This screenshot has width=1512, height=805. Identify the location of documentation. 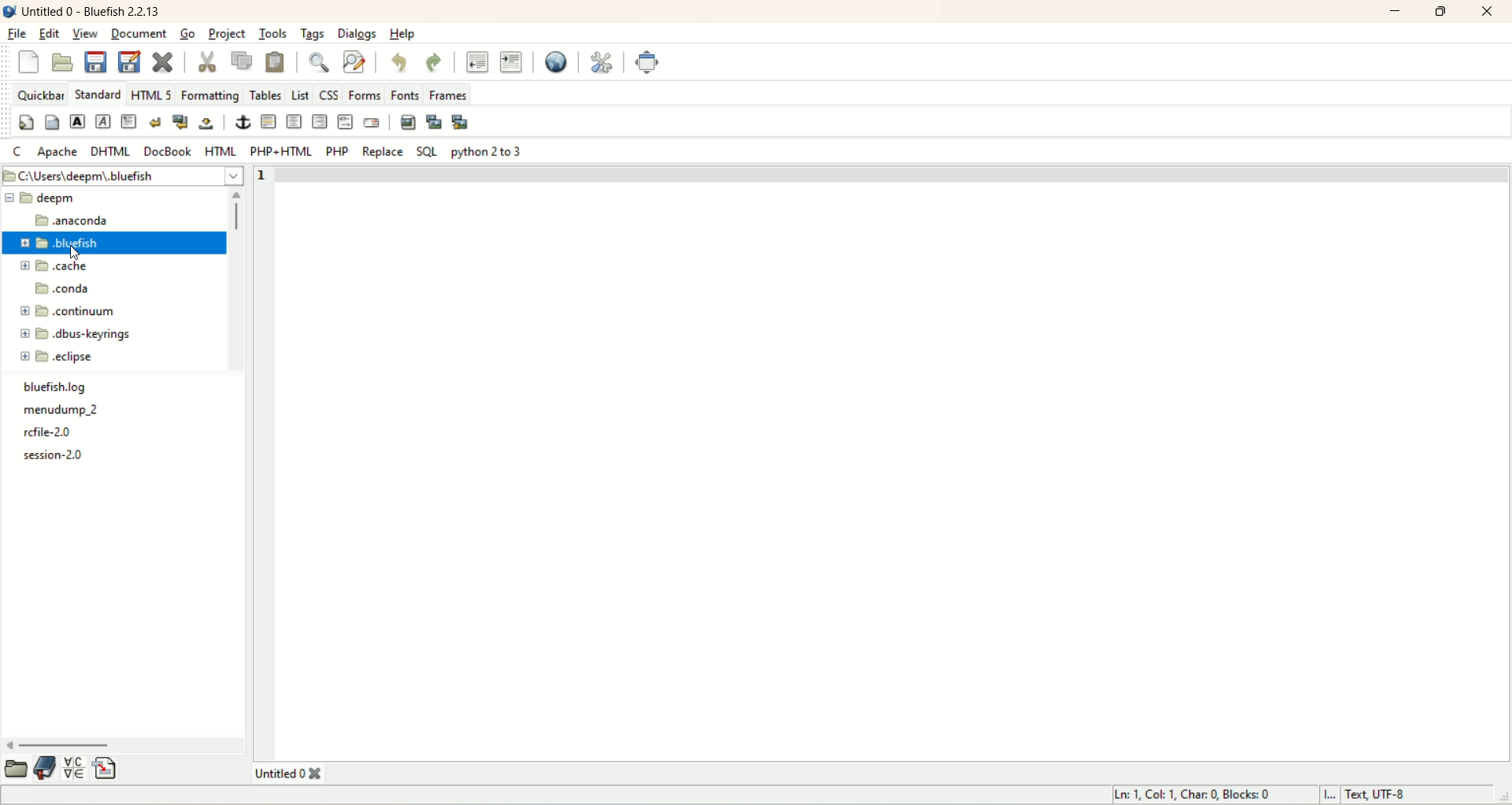
(46, 768).